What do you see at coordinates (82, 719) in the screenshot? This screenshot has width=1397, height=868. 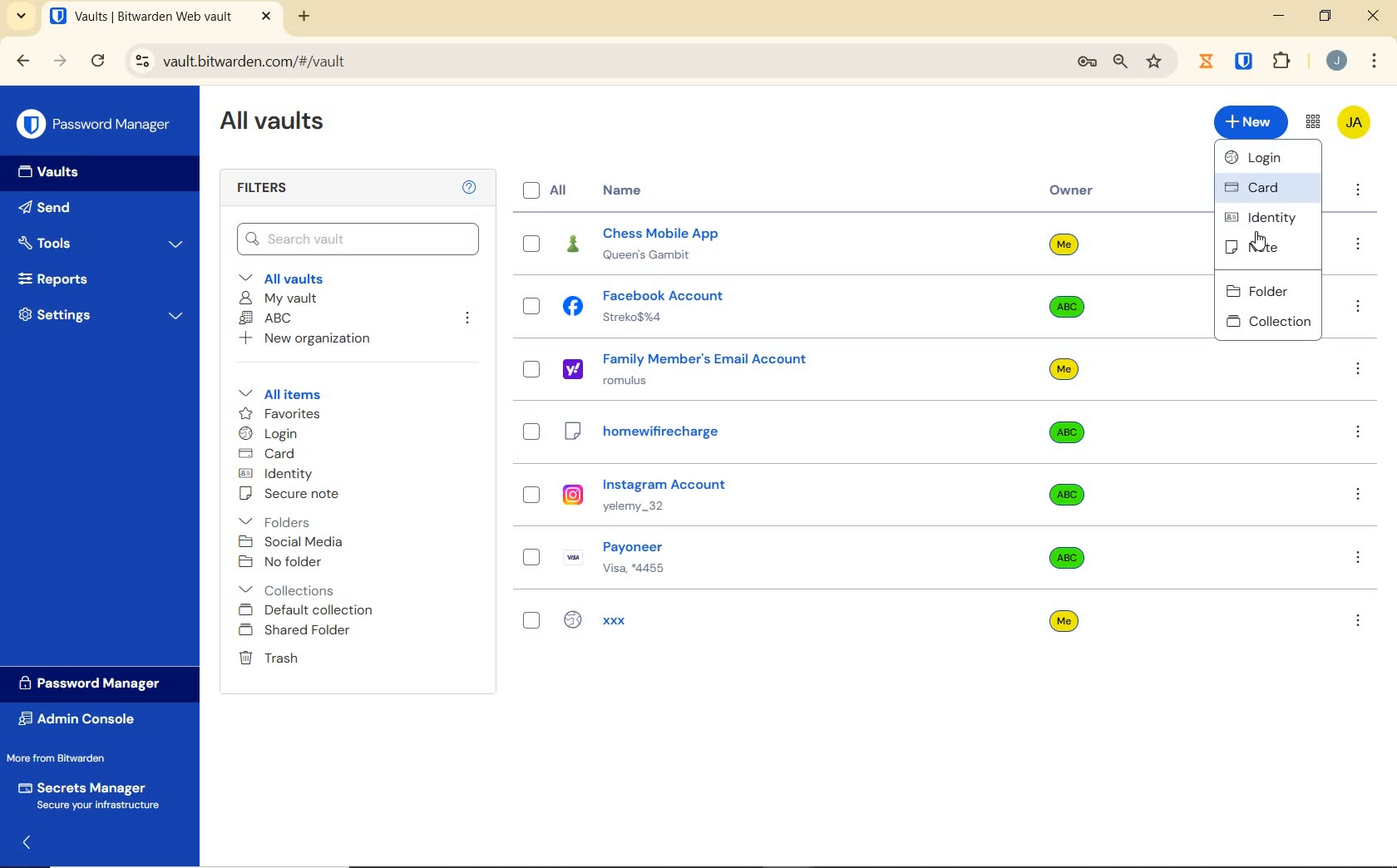 I see `Admin Console` at bounding box center [82, 719].